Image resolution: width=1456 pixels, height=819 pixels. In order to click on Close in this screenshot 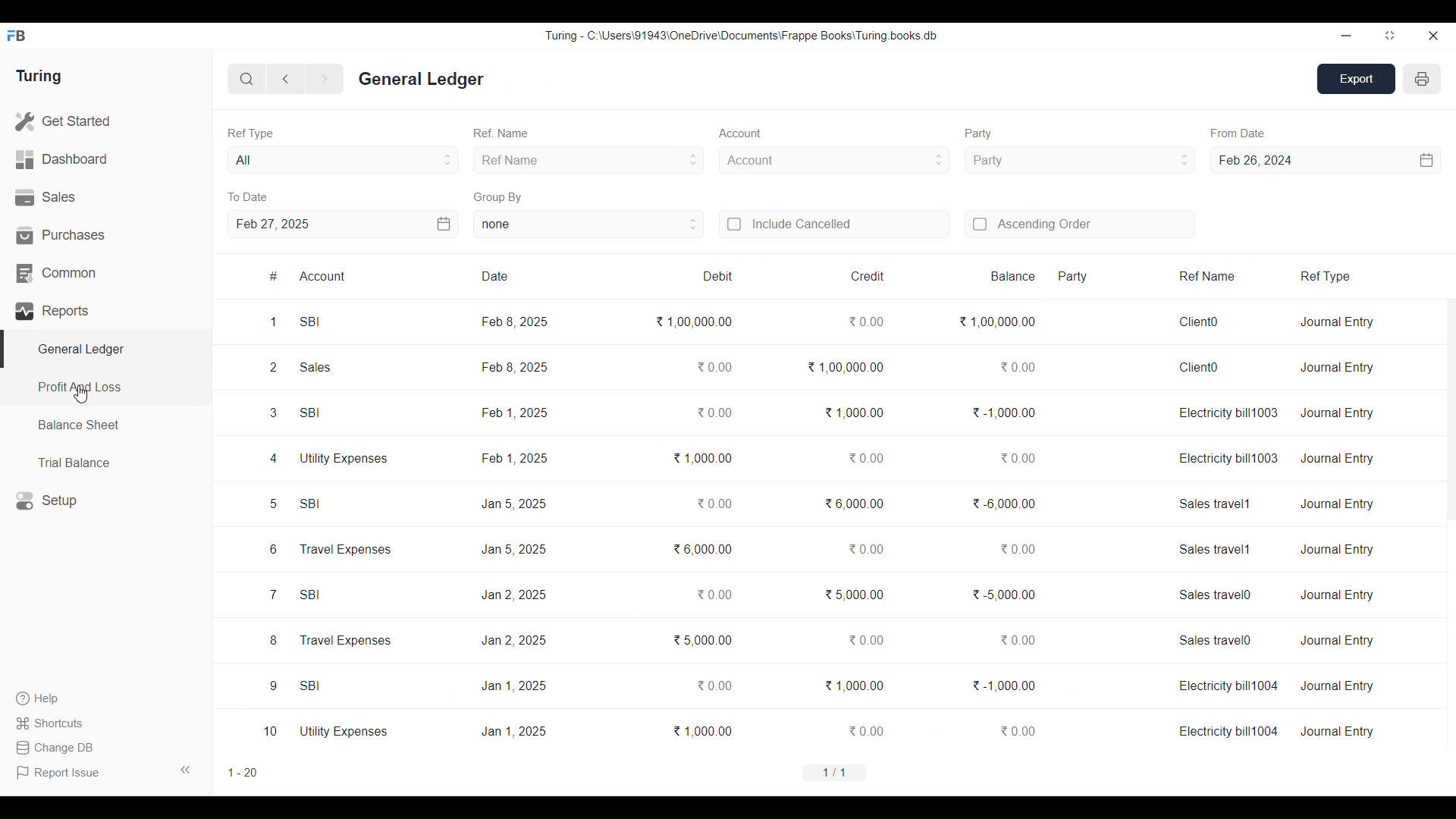, I will do `click(1432, 36)`.